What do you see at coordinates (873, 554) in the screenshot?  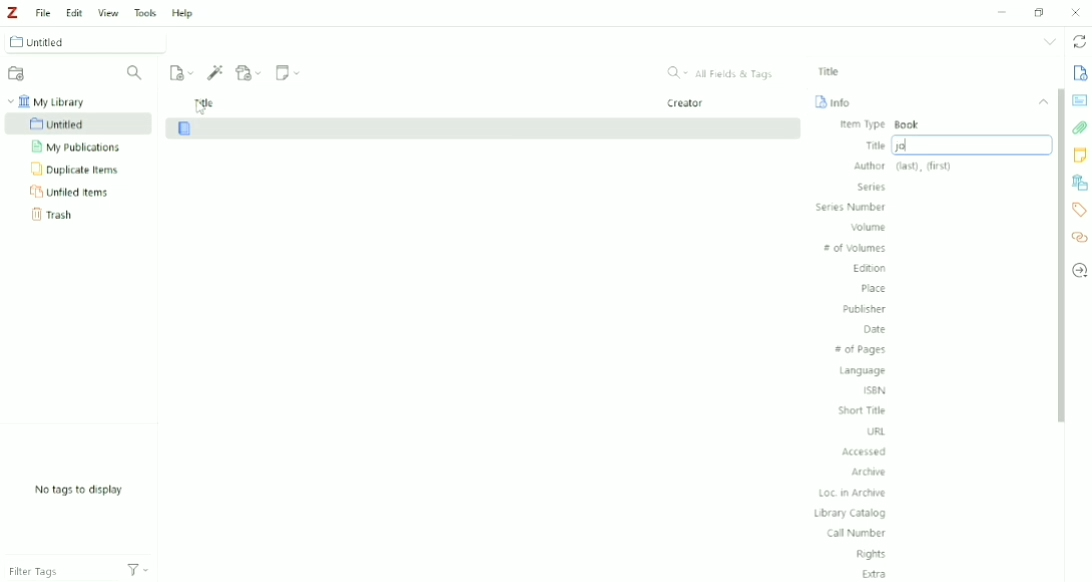 I see `Rights` at bounding box center [873, 554].